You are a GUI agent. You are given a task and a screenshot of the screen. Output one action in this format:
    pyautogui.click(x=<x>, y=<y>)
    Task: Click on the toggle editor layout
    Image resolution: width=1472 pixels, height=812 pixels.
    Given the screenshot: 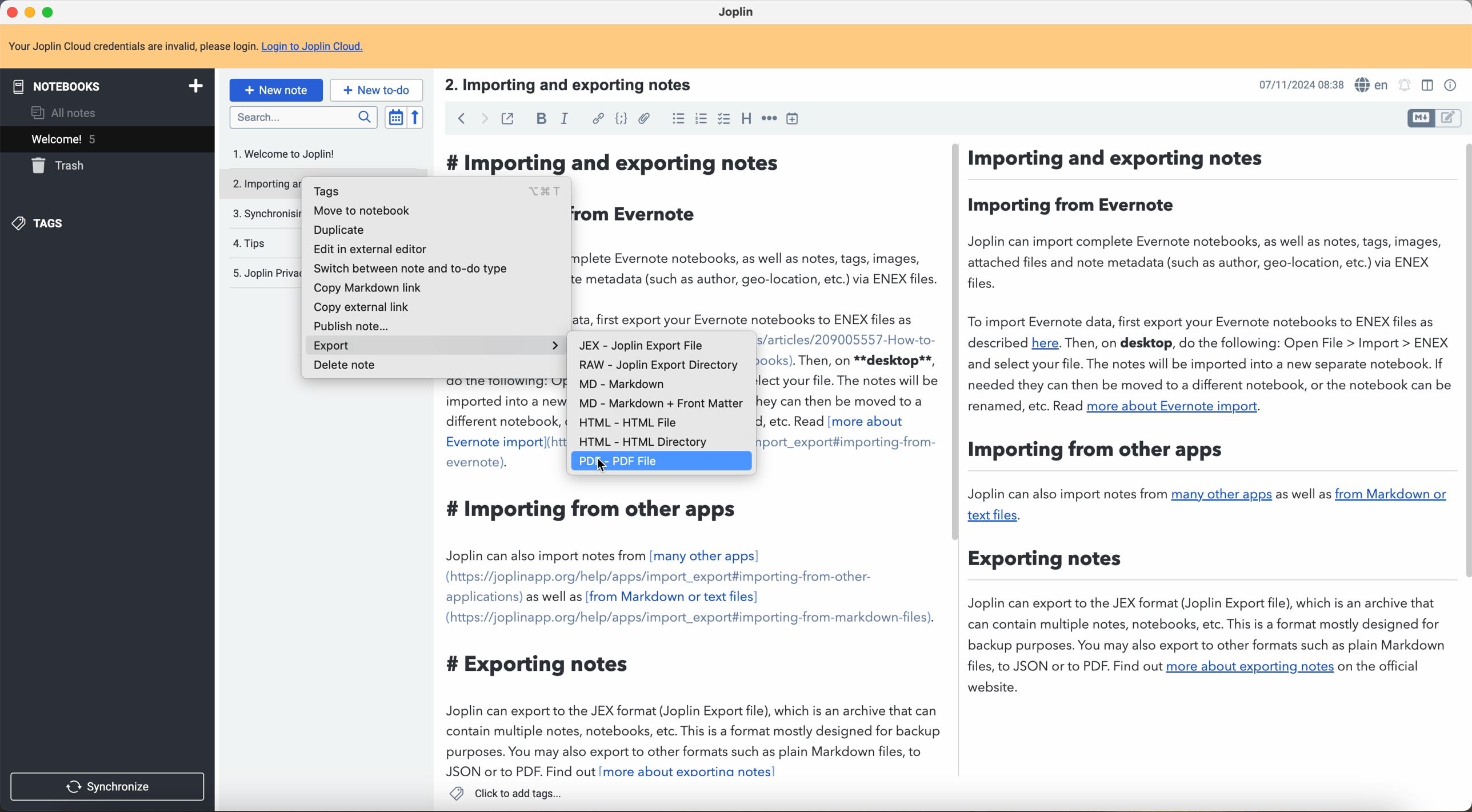 What is the action you would take?
    pyautogui.click(x=1425, y=86)
    